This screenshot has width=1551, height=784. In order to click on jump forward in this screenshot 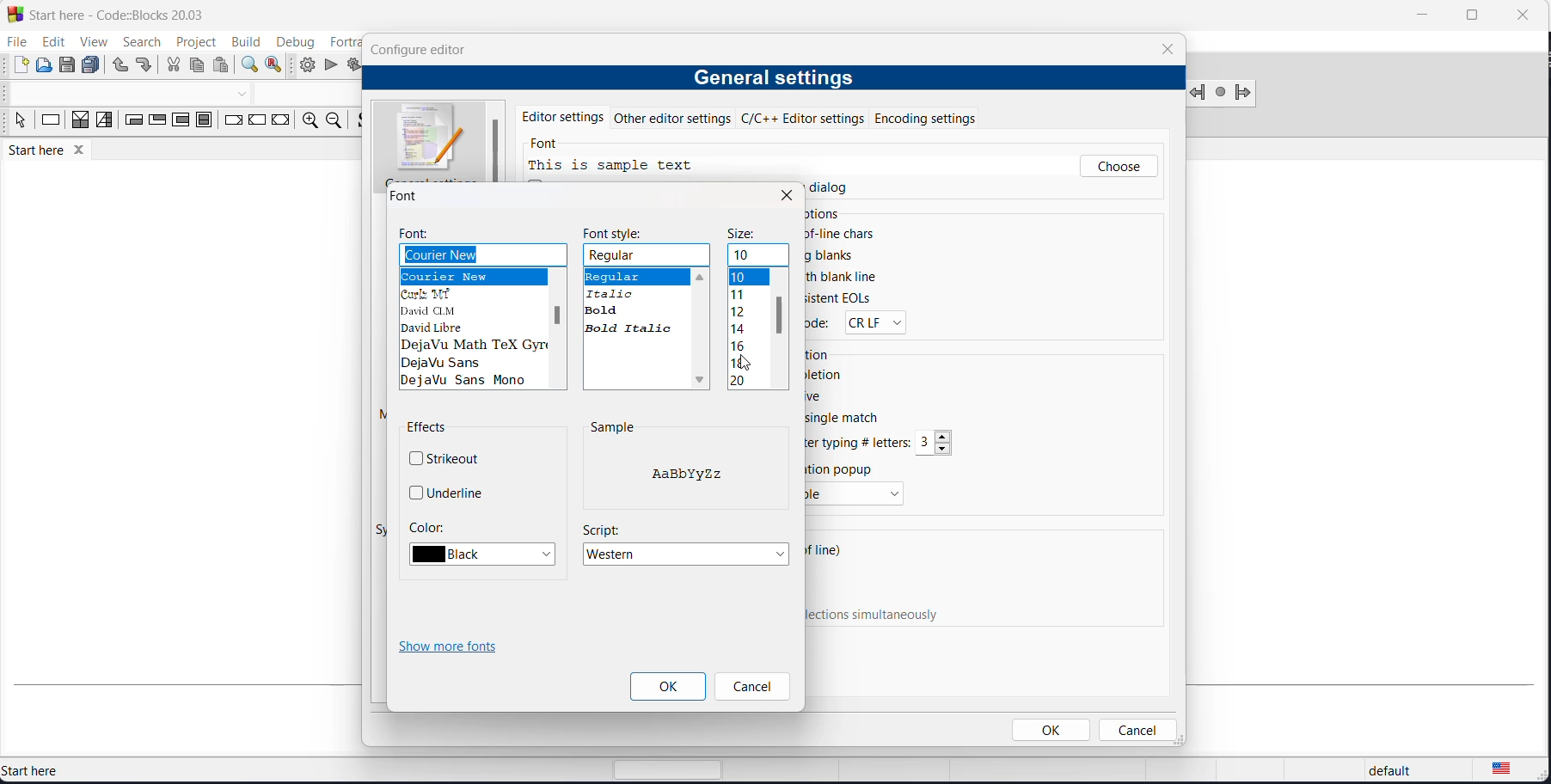, I will do `click(1244, 95)`.